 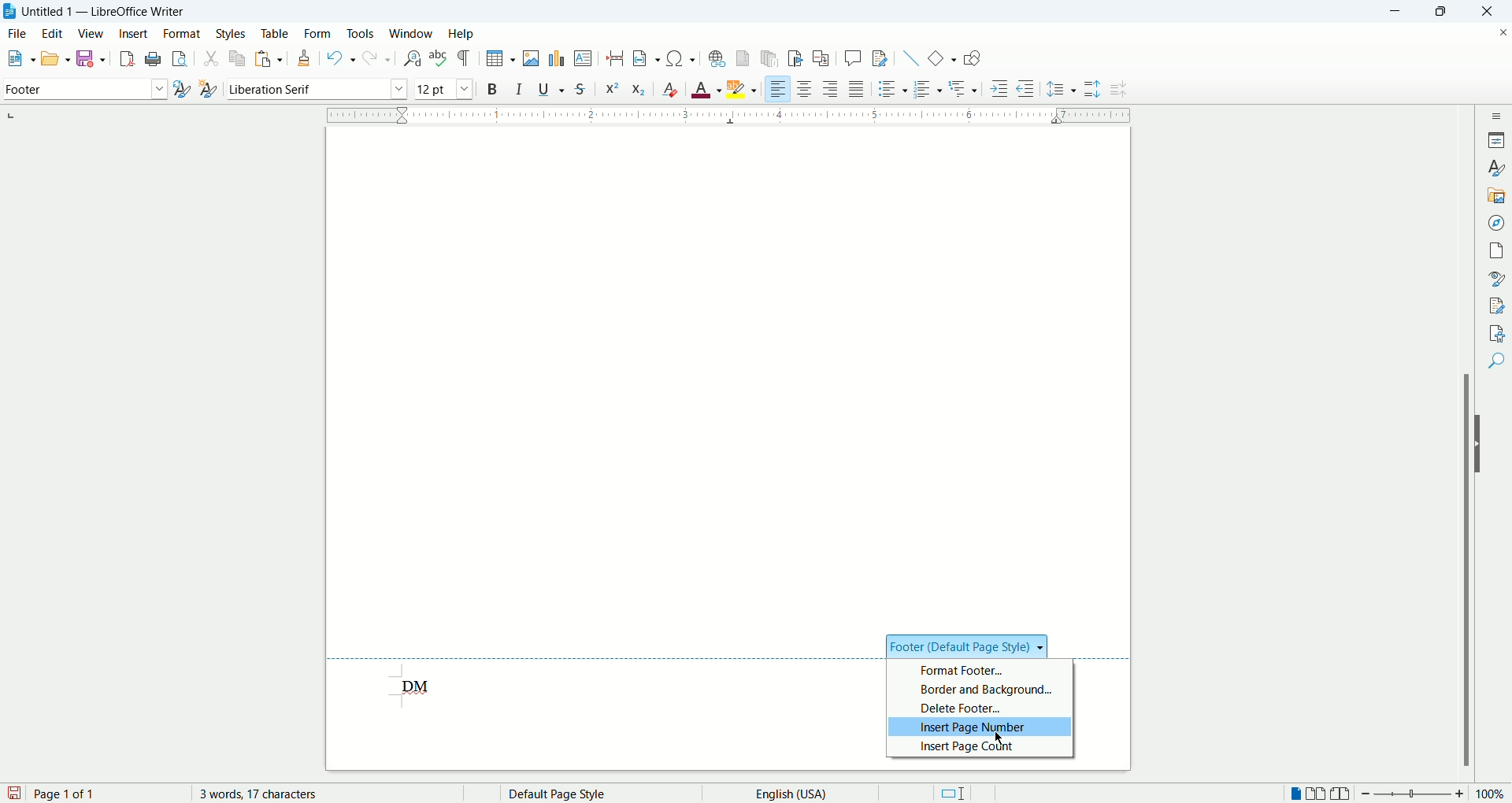 What do you see at coordinates (106, 794) in the screenshot?
I see `page number` at bounding box center [106, 794].